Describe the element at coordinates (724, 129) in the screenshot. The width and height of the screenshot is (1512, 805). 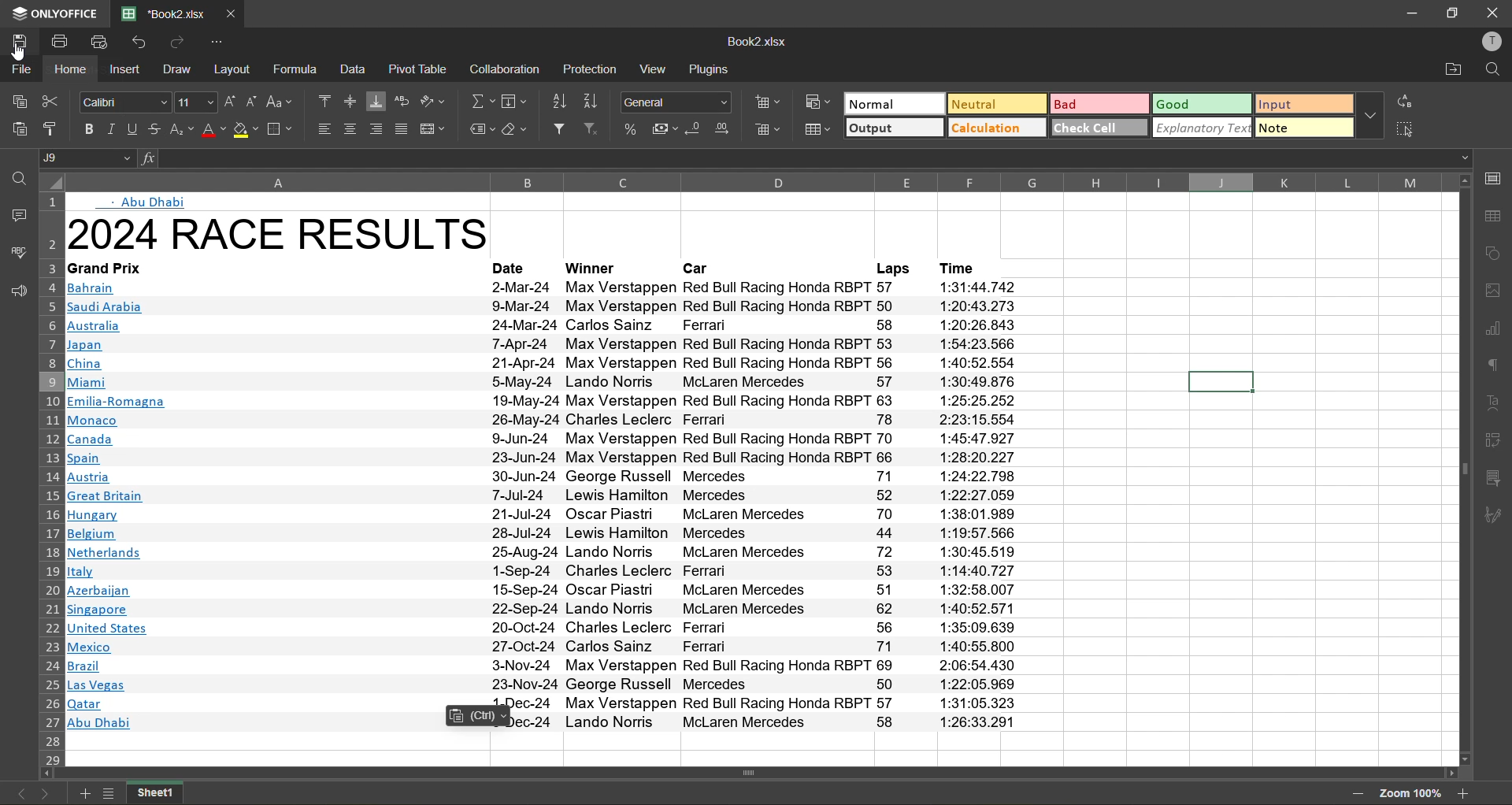
I see `increase decimal` at that location.